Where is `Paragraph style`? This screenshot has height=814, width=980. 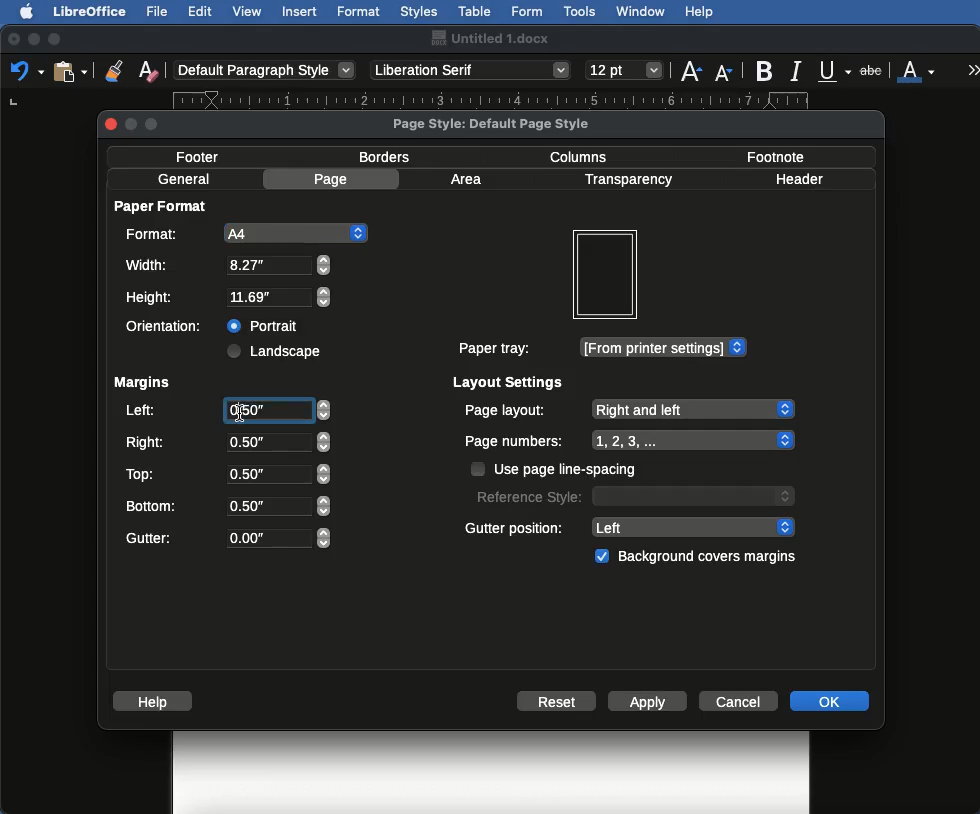
Paragraph style is located at coordinates (266, 70).